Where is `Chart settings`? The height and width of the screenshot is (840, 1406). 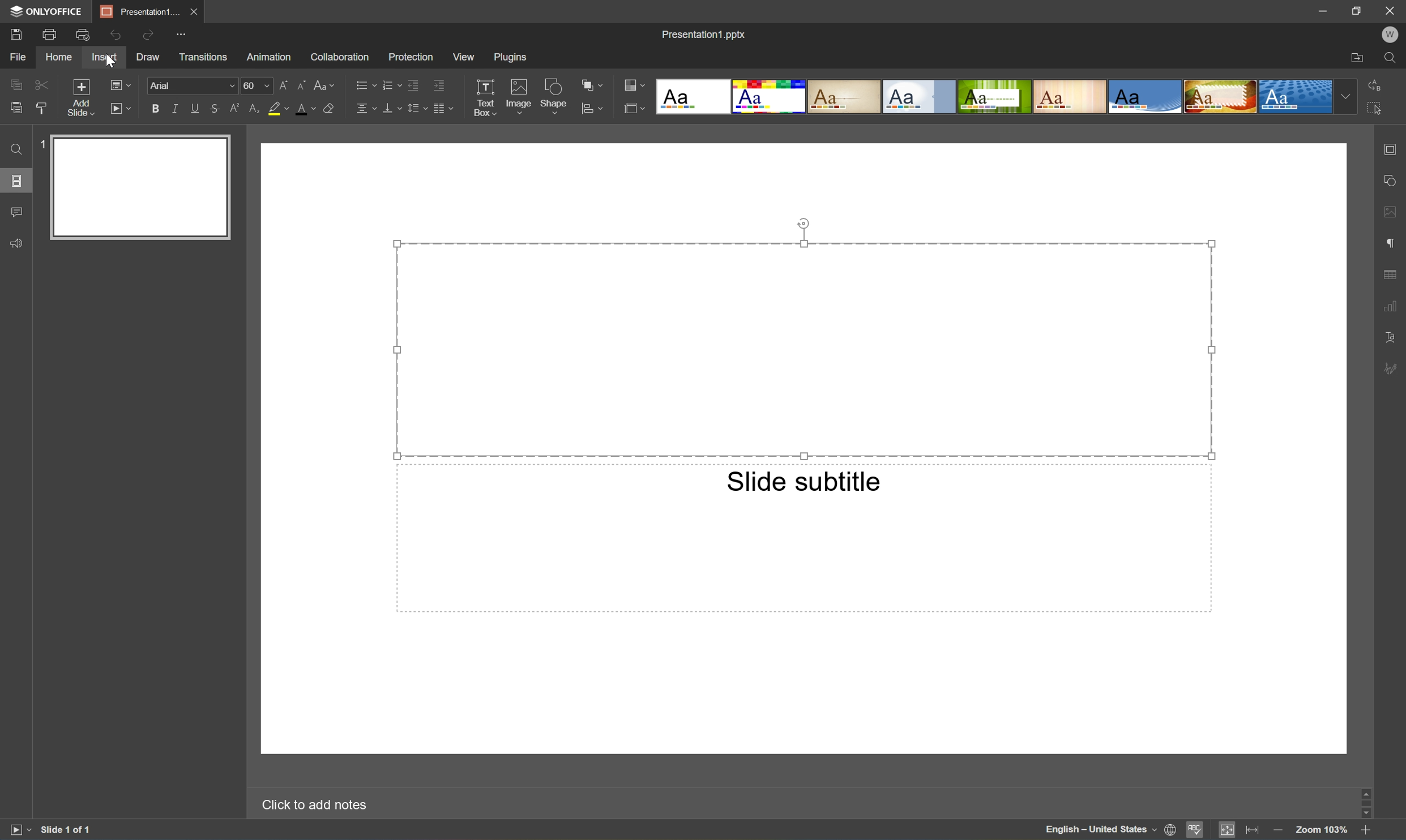
Chart settings is located at coordinates (1391, 307).